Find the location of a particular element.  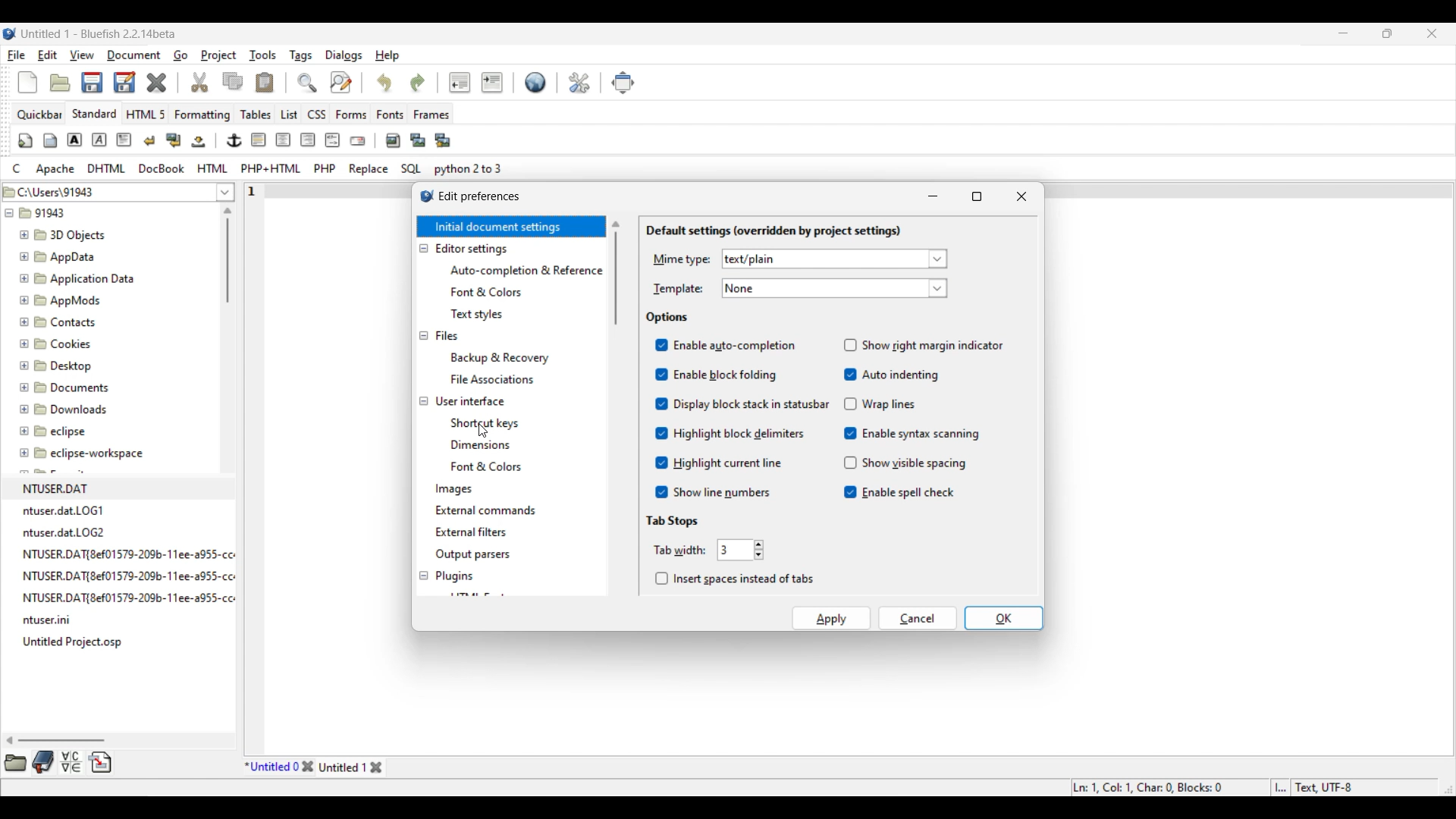

Indicates tab width is located at coordinates (679, 550).